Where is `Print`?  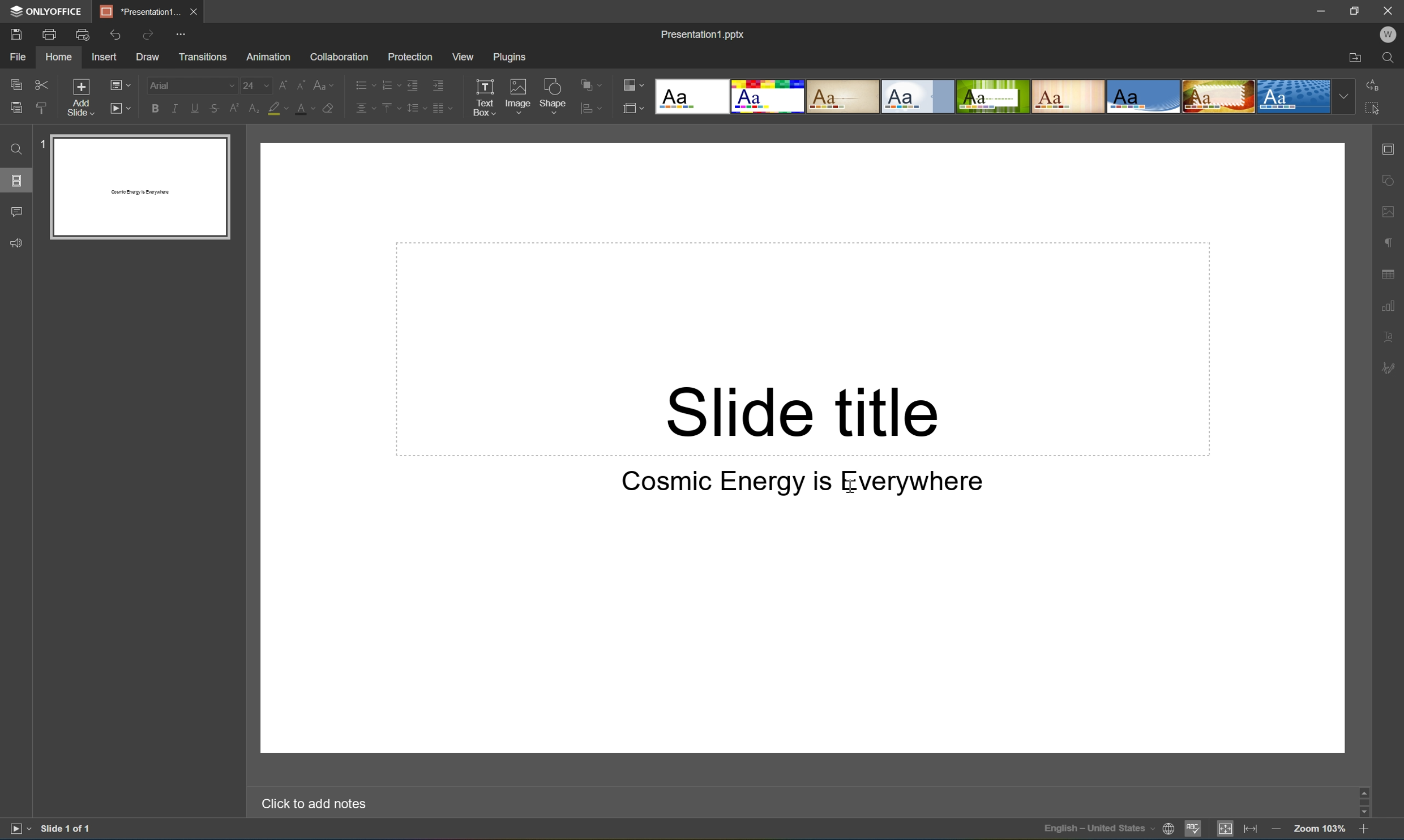
Print is located at coordinates (51, 35).